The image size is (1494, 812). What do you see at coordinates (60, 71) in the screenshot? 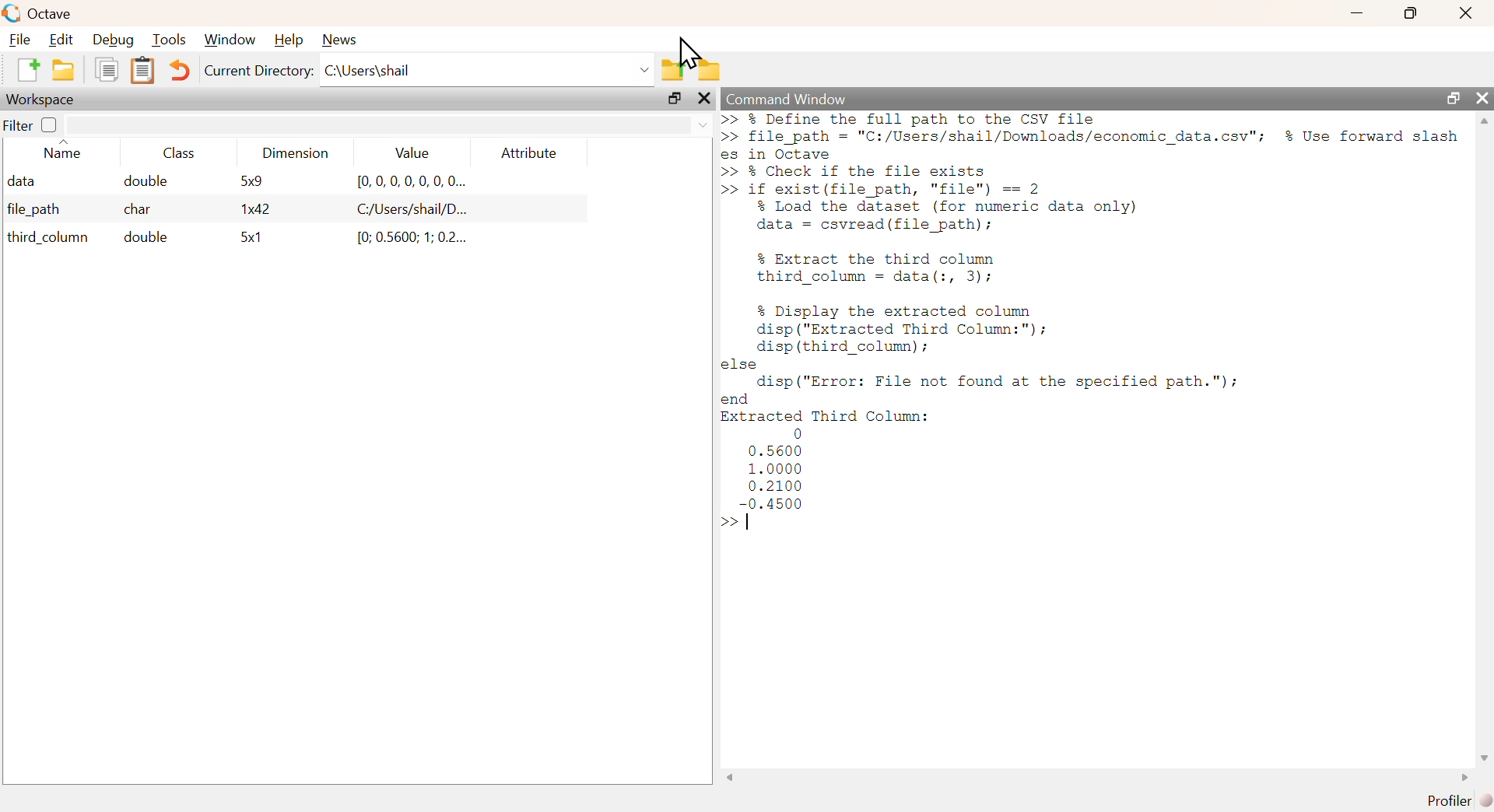
I see `open folder` at bounding box center [60, 71].